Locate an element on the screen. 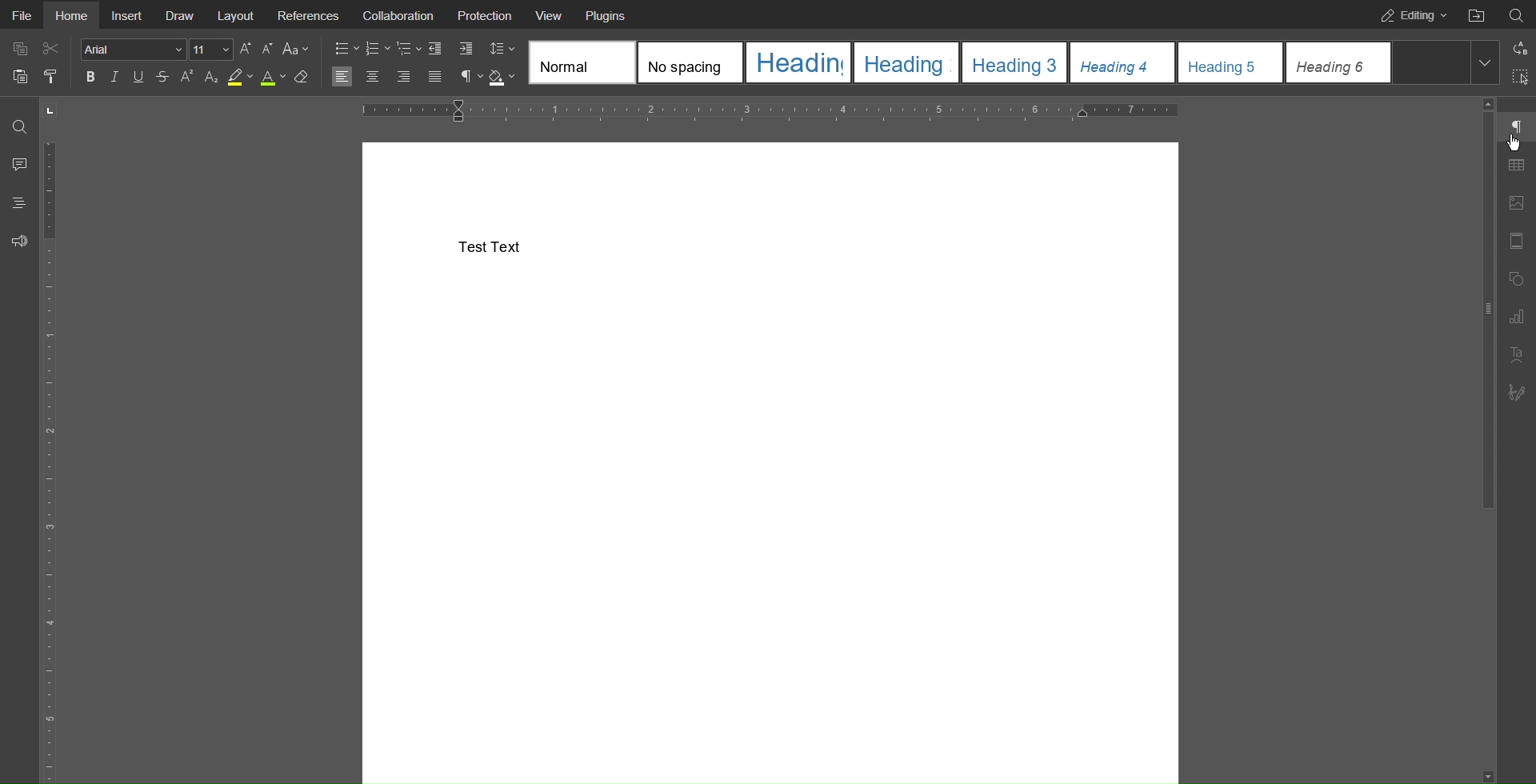 The width and height of the screenshot is (1536, 784). slider is located at coordinates (1474, 307).